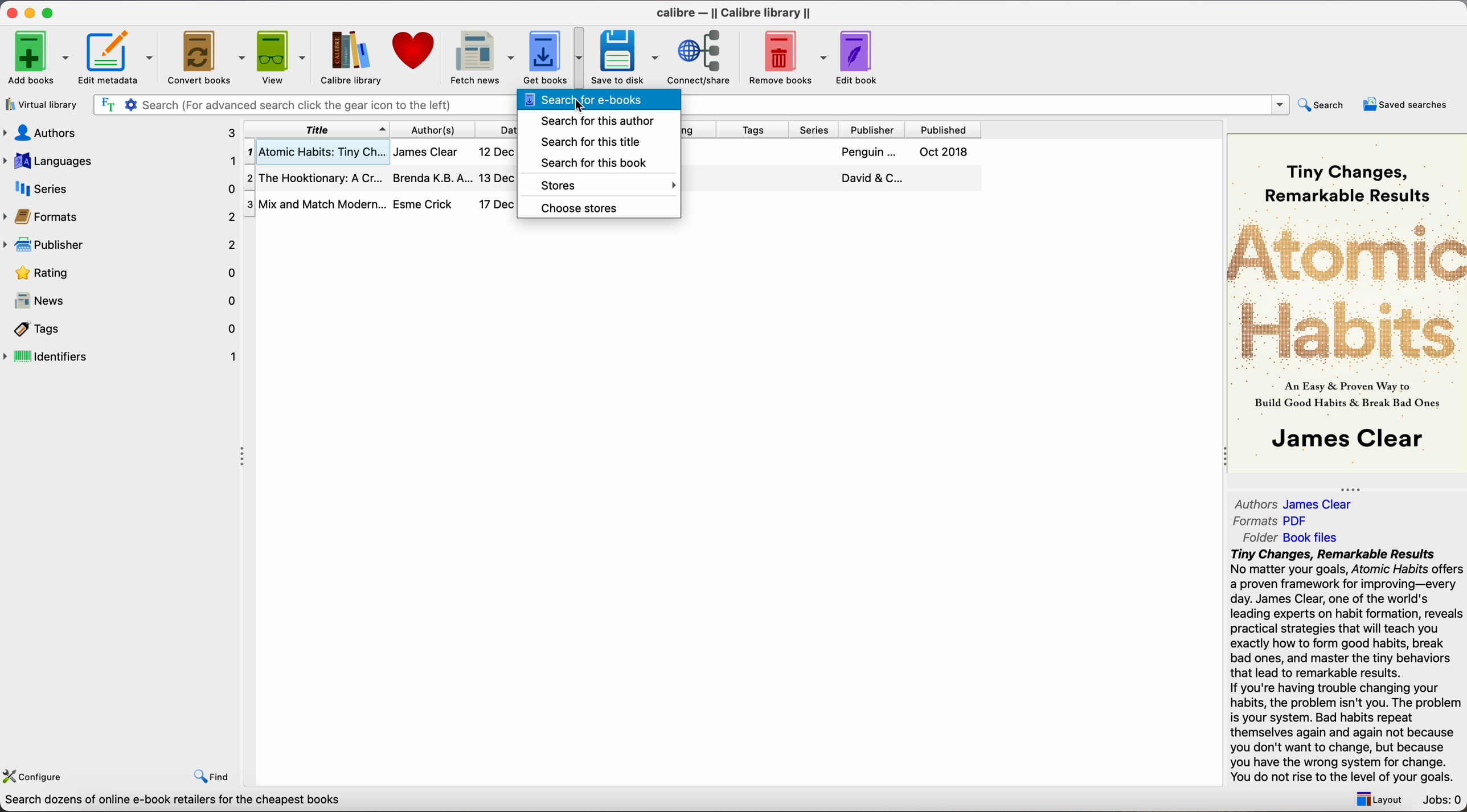 Image resolution: width=1467 pixels, height=812 pixels. What do you see at coordinates (283, 56) in the screenshot?
I see `view` at bounding box center [283, 56].